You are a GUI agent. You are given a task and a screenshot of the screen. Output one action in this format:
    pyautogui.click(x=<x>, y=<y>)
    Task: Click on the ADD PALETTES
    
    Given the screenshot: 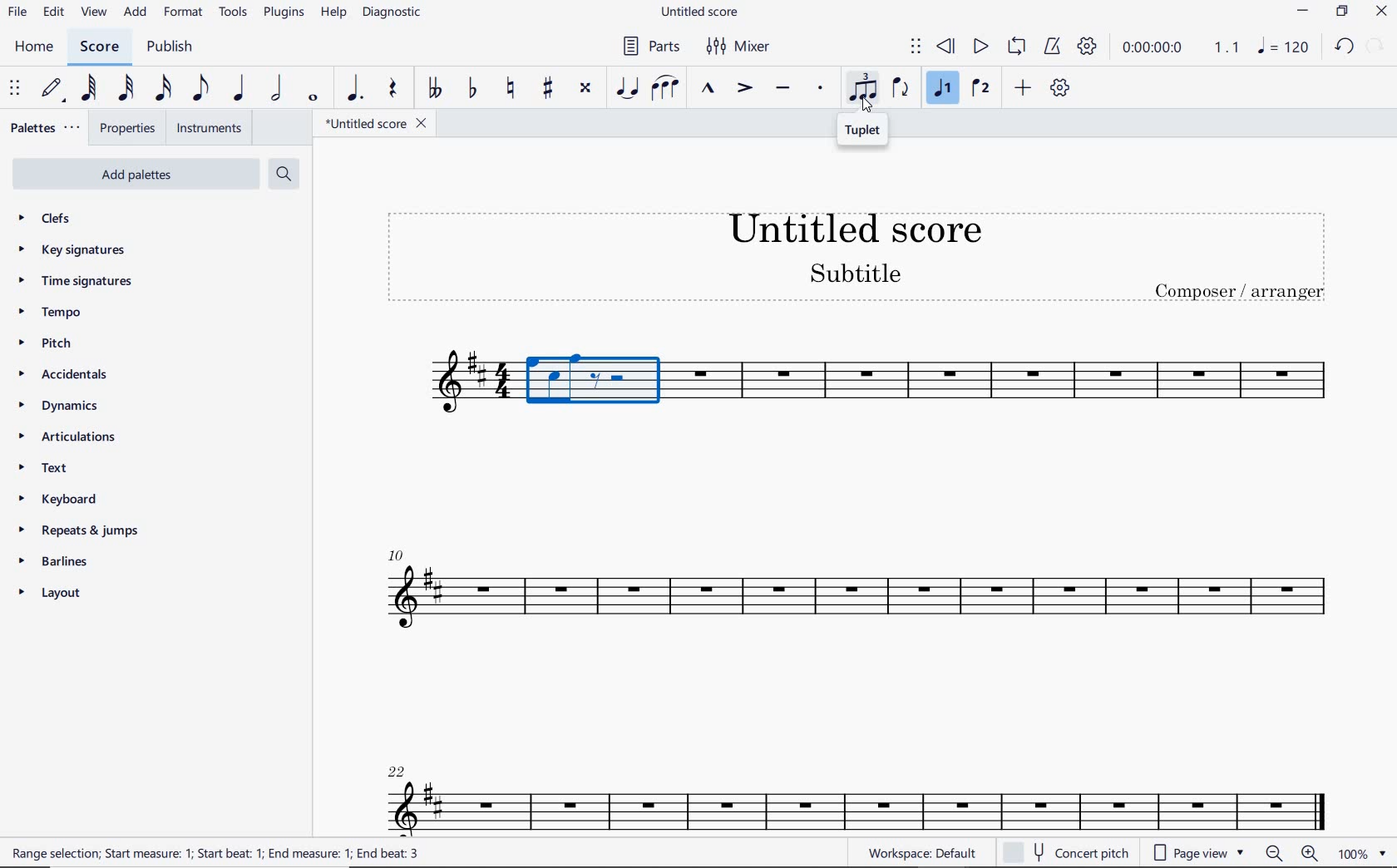 What is the action you would take?
    pyautogui.click(x=133, y=174)
    